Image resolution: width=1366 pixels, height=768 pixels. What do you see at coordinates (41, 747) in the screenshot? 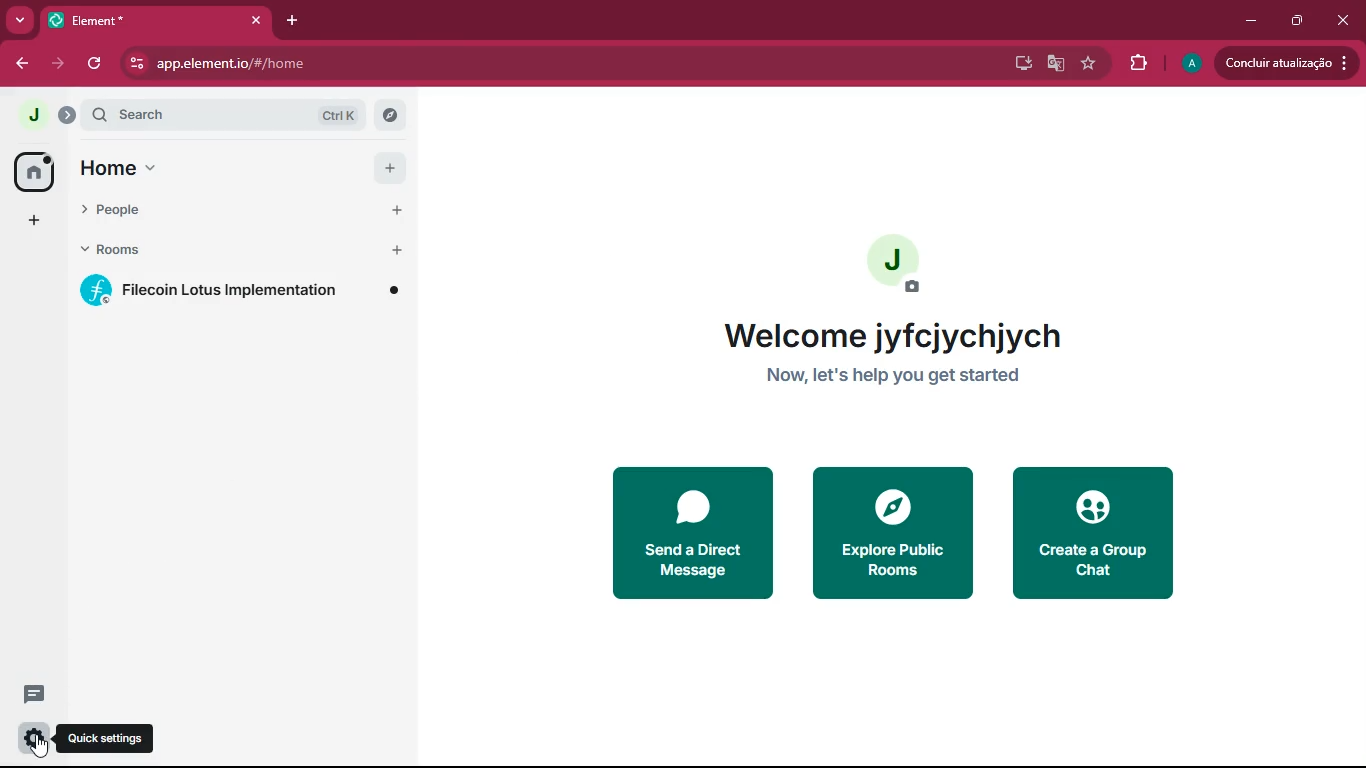
I see `cursor` at bounding box center [41, 747].